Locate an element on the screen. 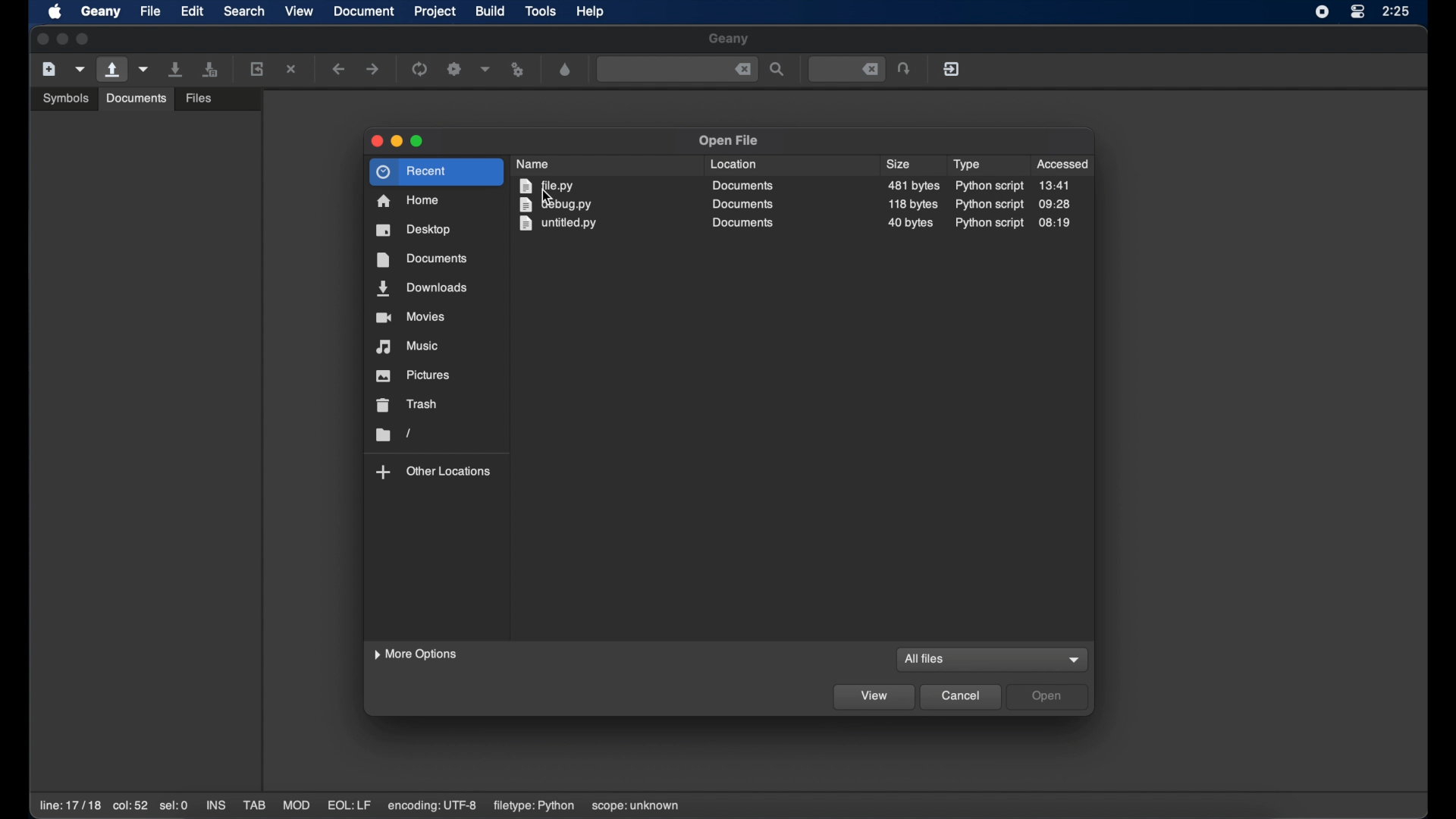 The width and height of the screenshot is (1456, 819). navigate forward a location is located at coordinates (374, 70).